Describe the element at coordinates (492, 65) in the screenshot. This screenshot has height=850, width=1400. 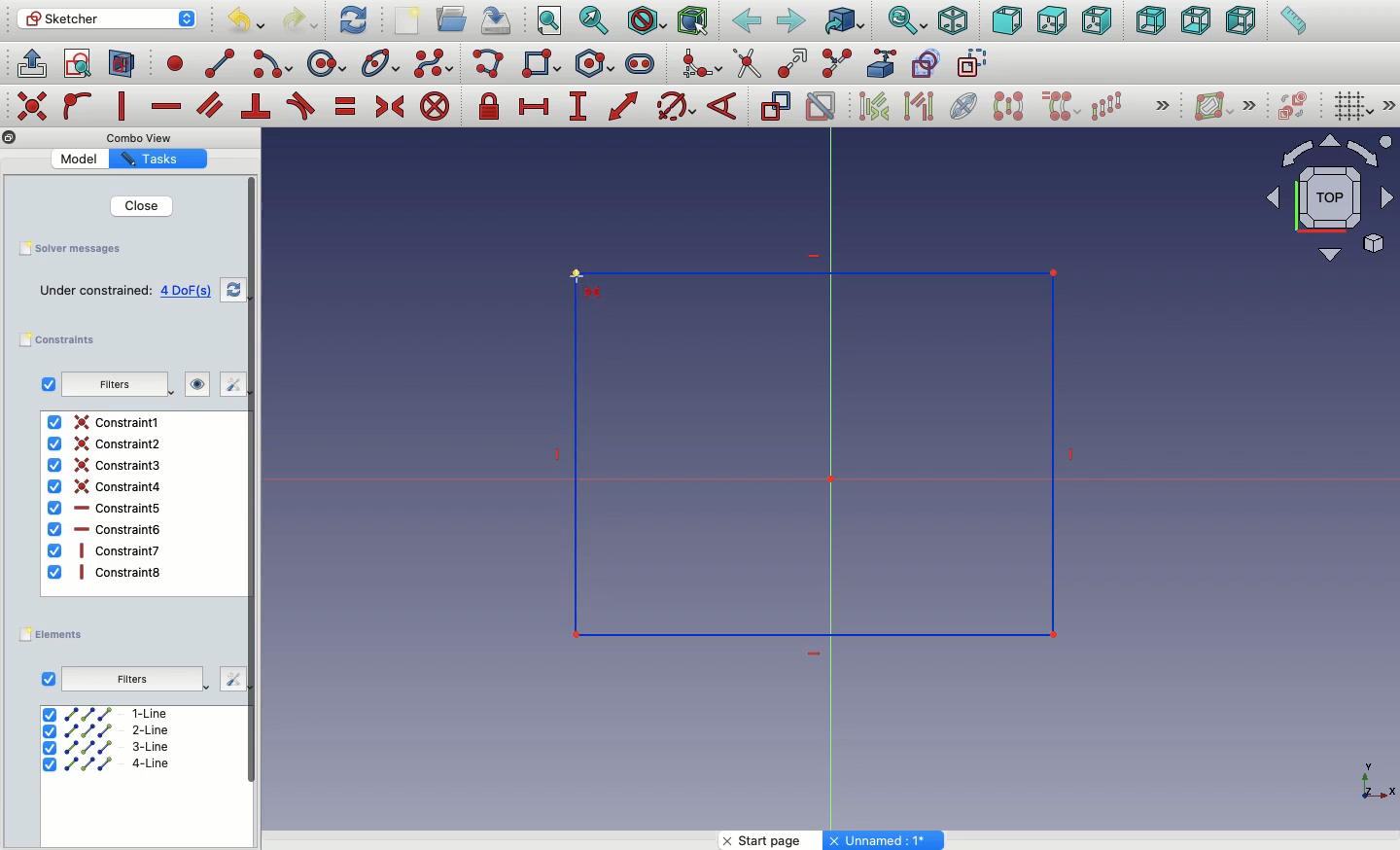
I see `Polyline` at that location.